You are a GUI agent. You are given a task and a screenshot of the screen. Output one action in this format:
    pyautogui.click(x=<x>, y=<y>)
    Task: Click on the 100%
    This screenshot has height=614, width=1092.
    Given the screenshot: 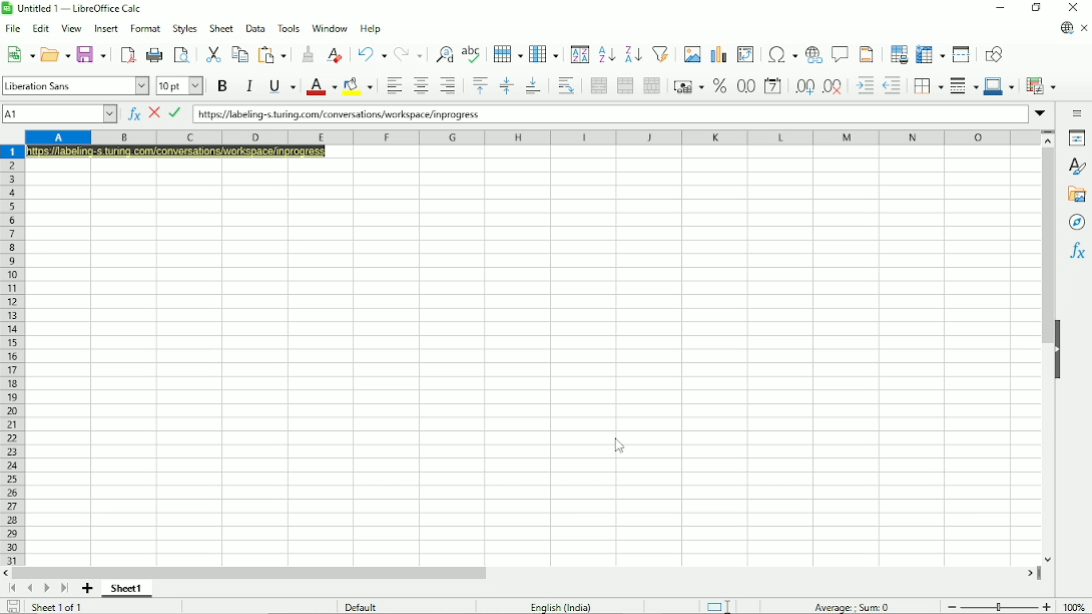 What is the action you would take?
    pyautogui.click(x=1078, y=606)
    